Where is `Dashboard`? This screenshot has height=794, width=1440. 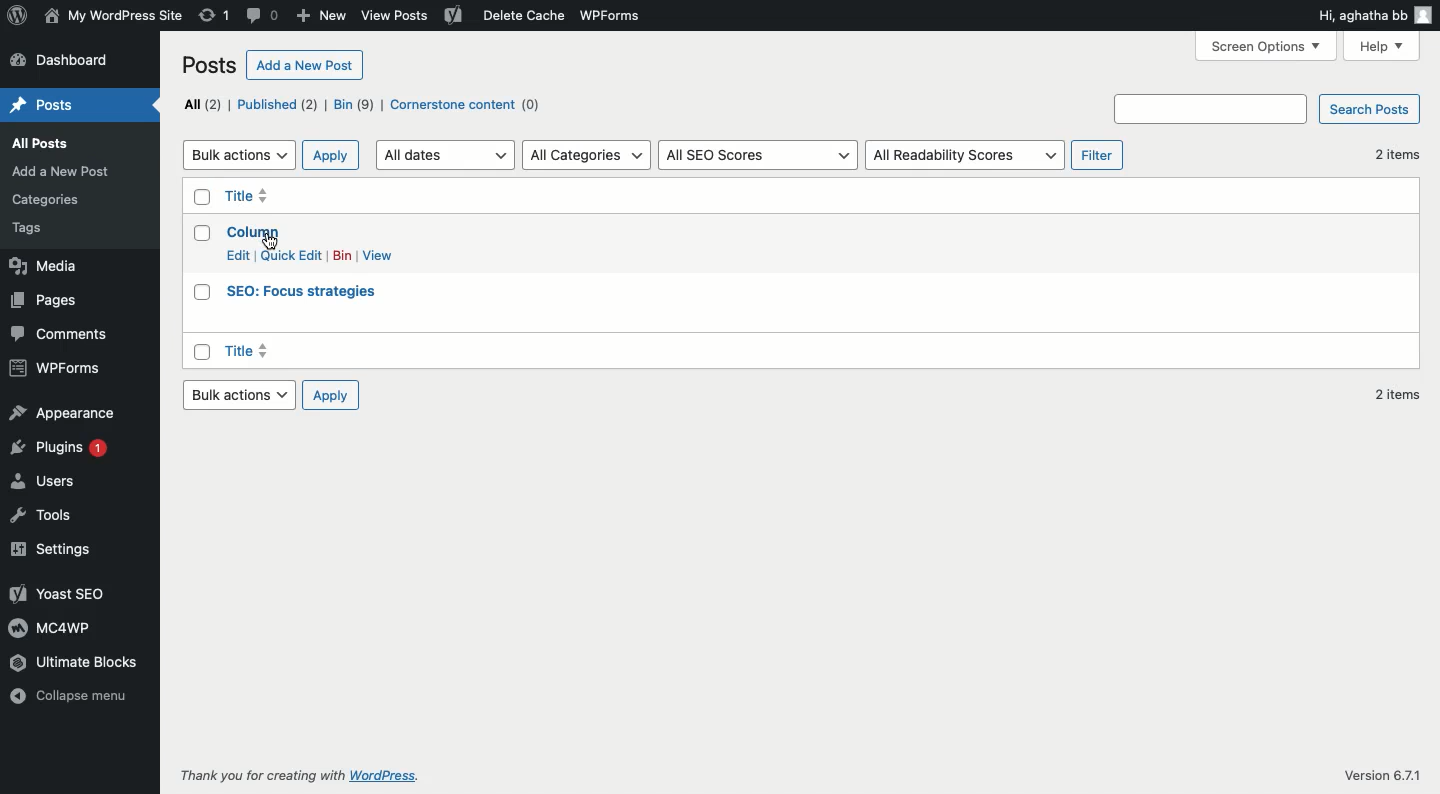
Dashboard is located at coordinates (66, 62).